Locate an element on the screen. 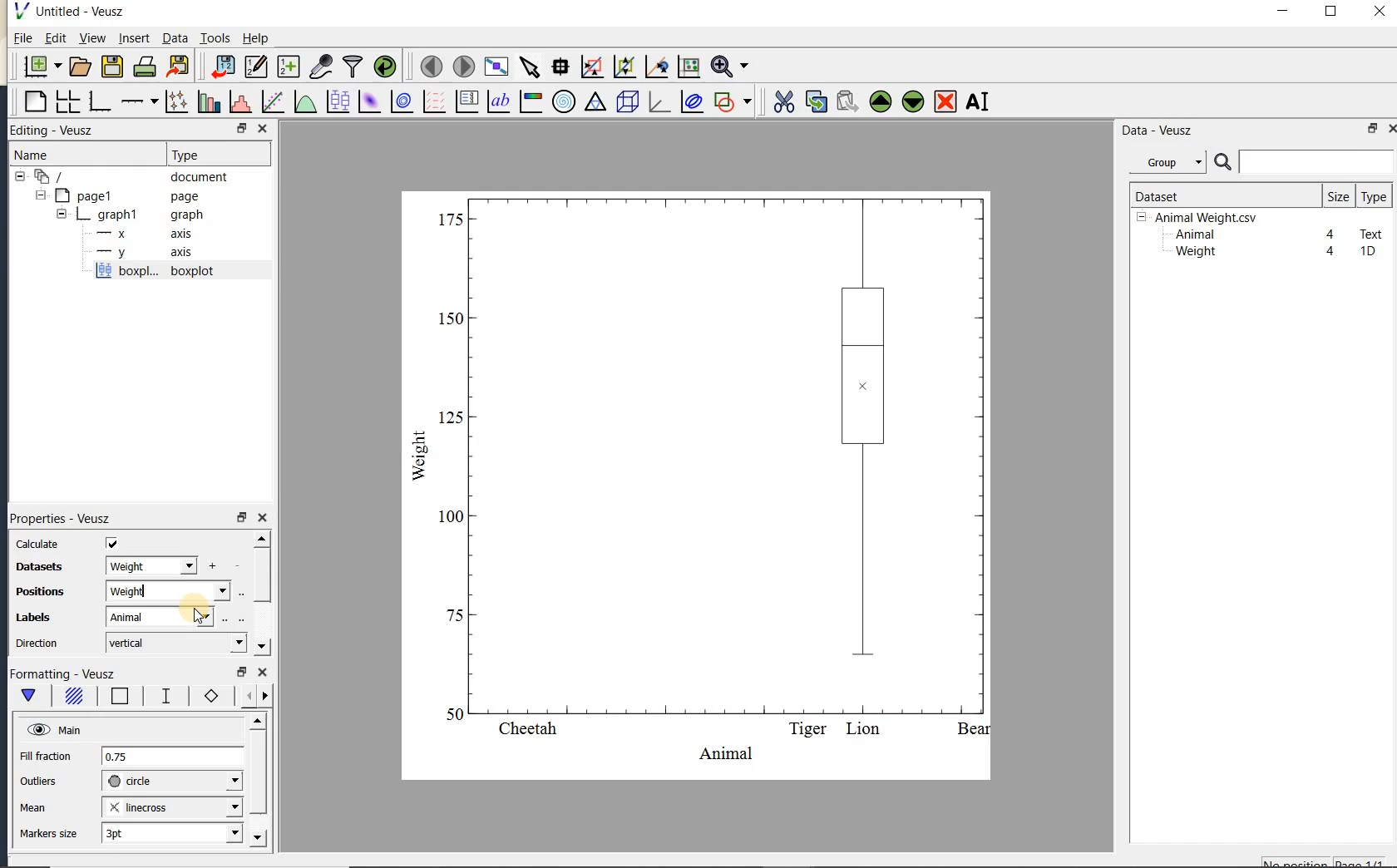 This screenshot has width=1397, height=868. new document is located at coordinates (38, 67).